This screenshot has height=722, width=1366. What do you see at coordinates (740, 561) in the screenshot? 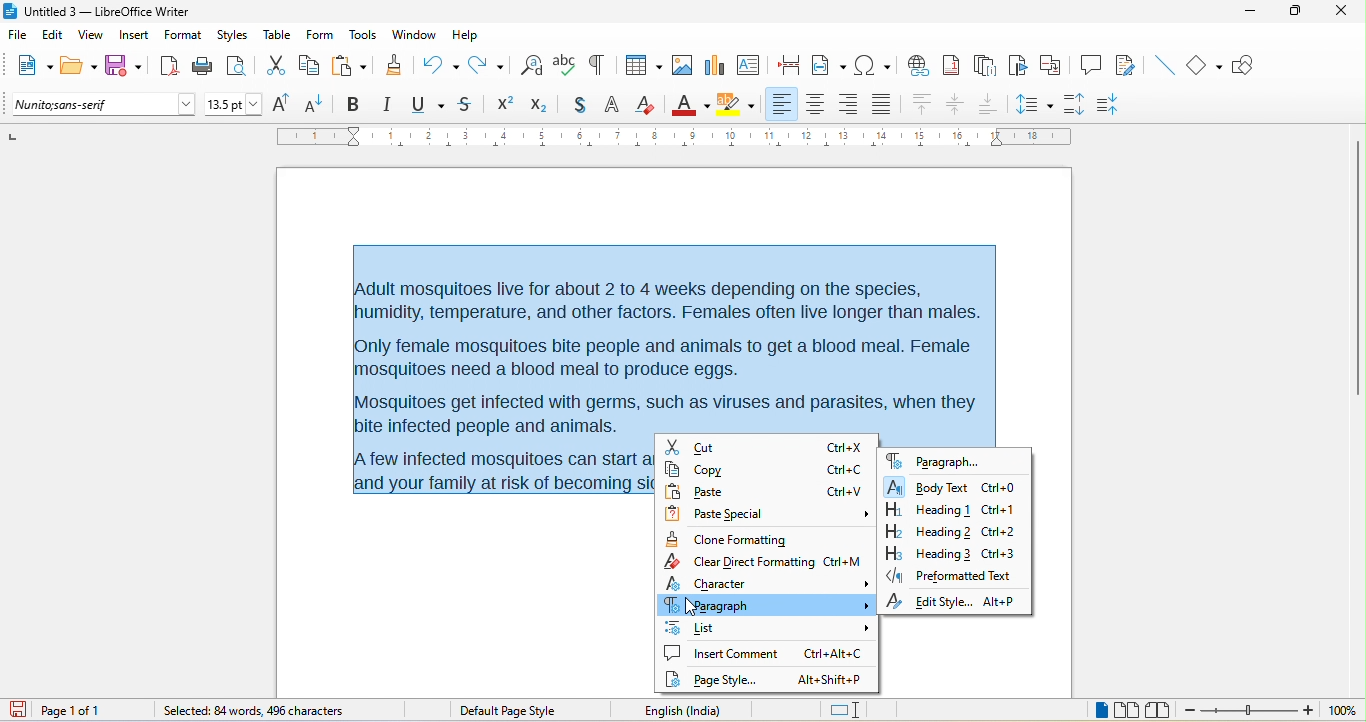
I see `clear direct formatting` at bounding box center [740, 561].